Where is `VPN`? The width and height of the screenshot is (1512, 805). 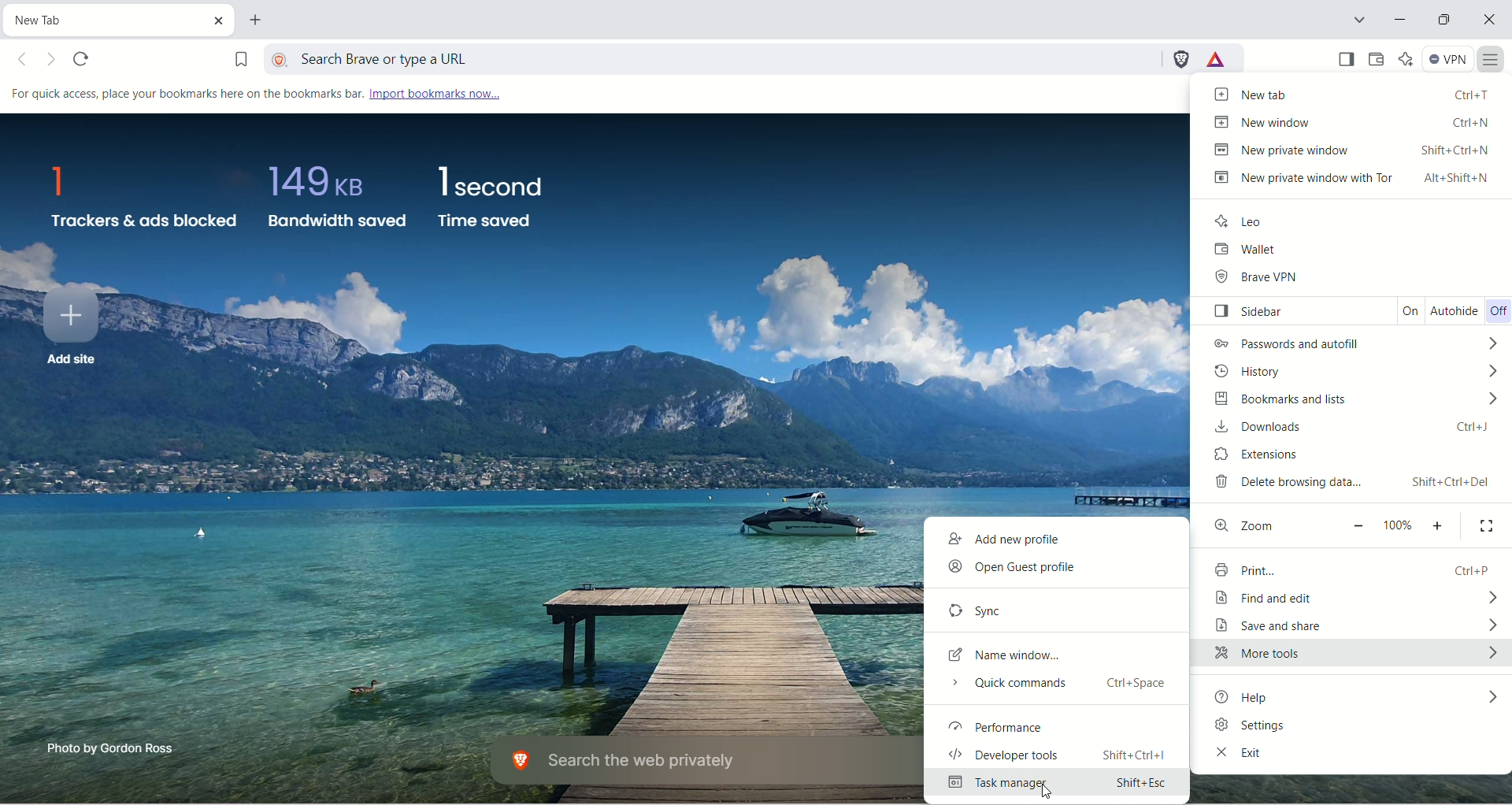 VPN is located at coordinates (1447, 58).